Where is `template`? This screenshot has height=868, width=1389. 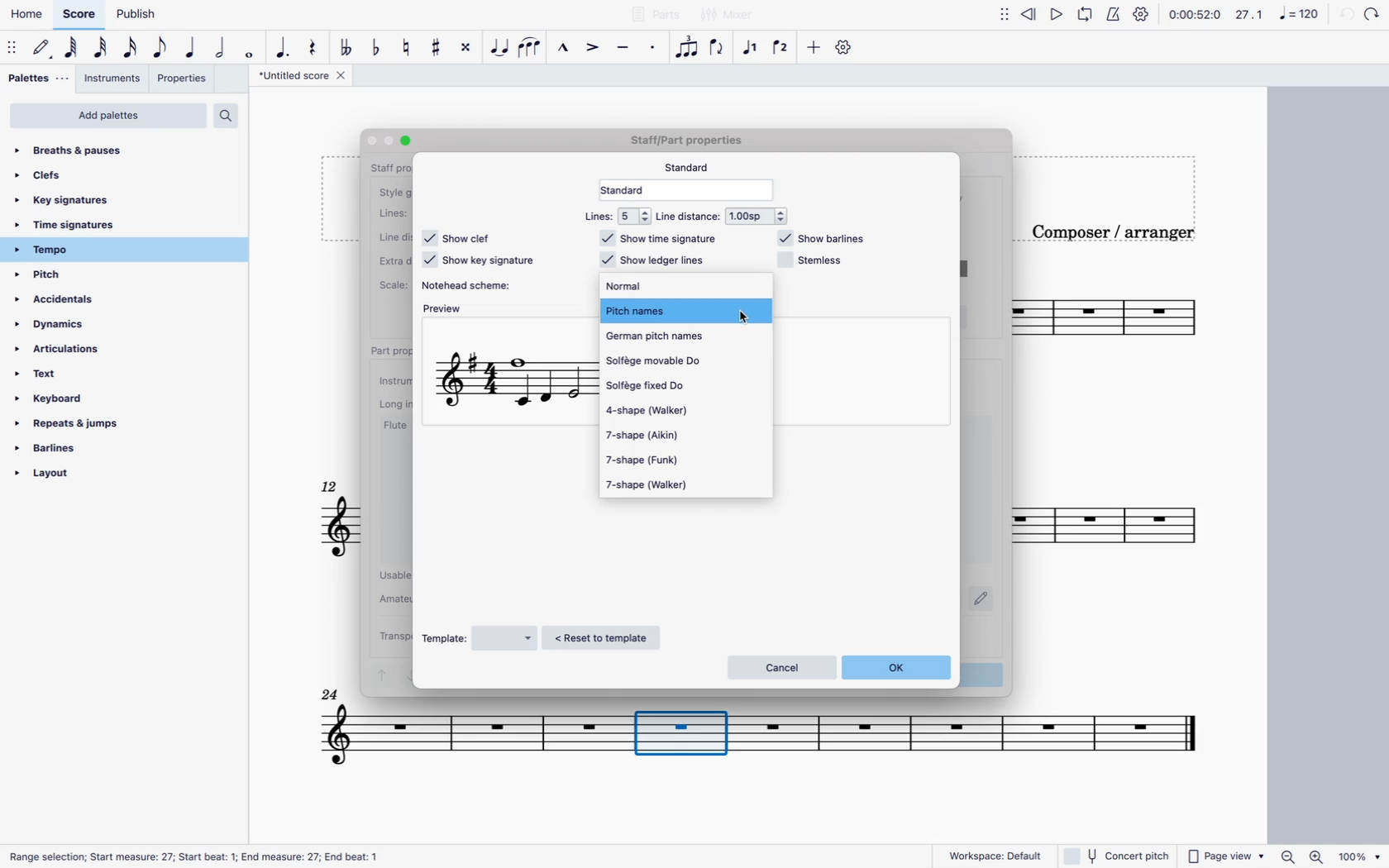
template is located at coordinates (480, 638).